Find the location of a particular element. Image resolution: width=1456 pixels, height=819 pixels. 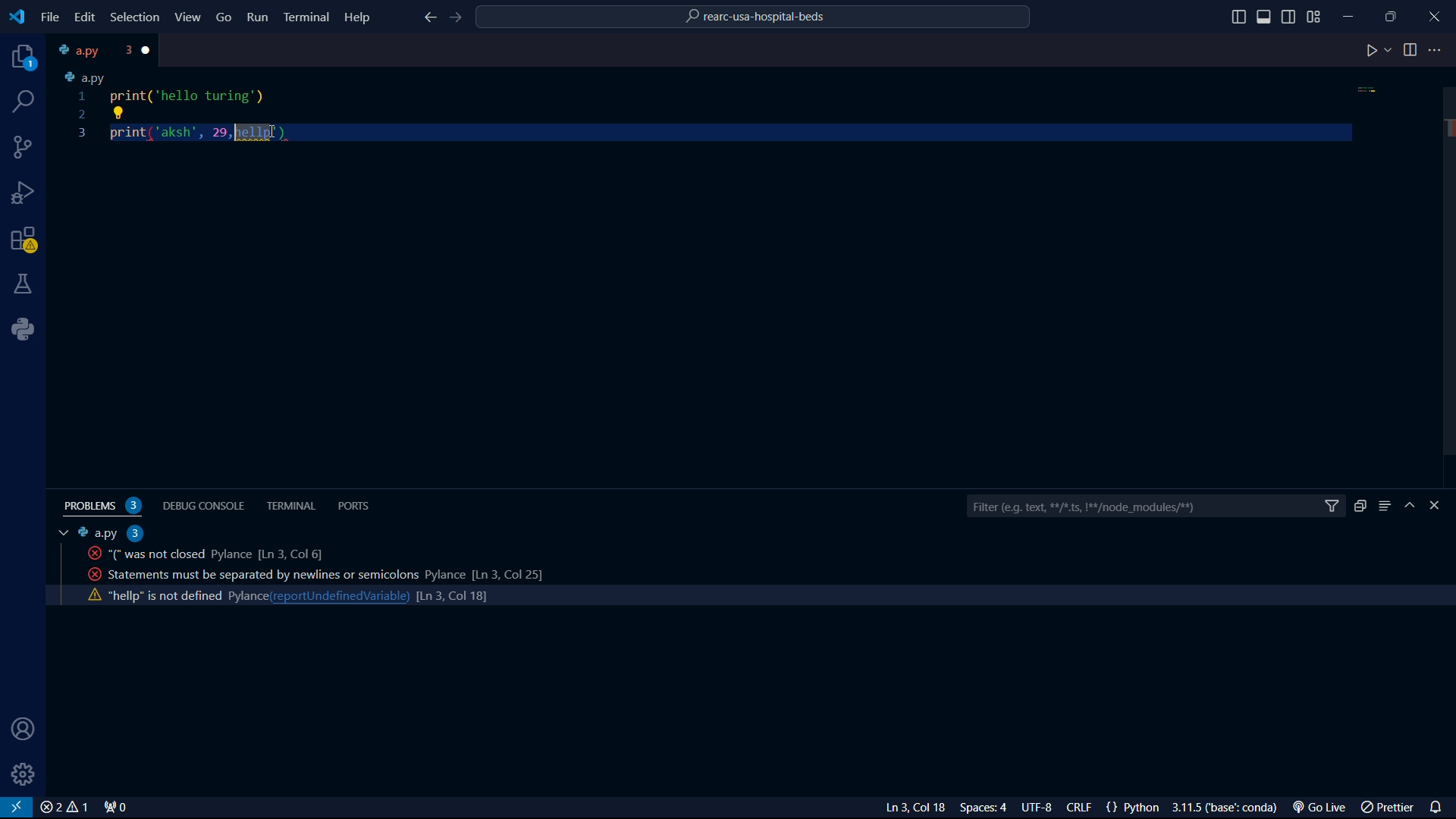

Selection is located at coordinates (137, 18).